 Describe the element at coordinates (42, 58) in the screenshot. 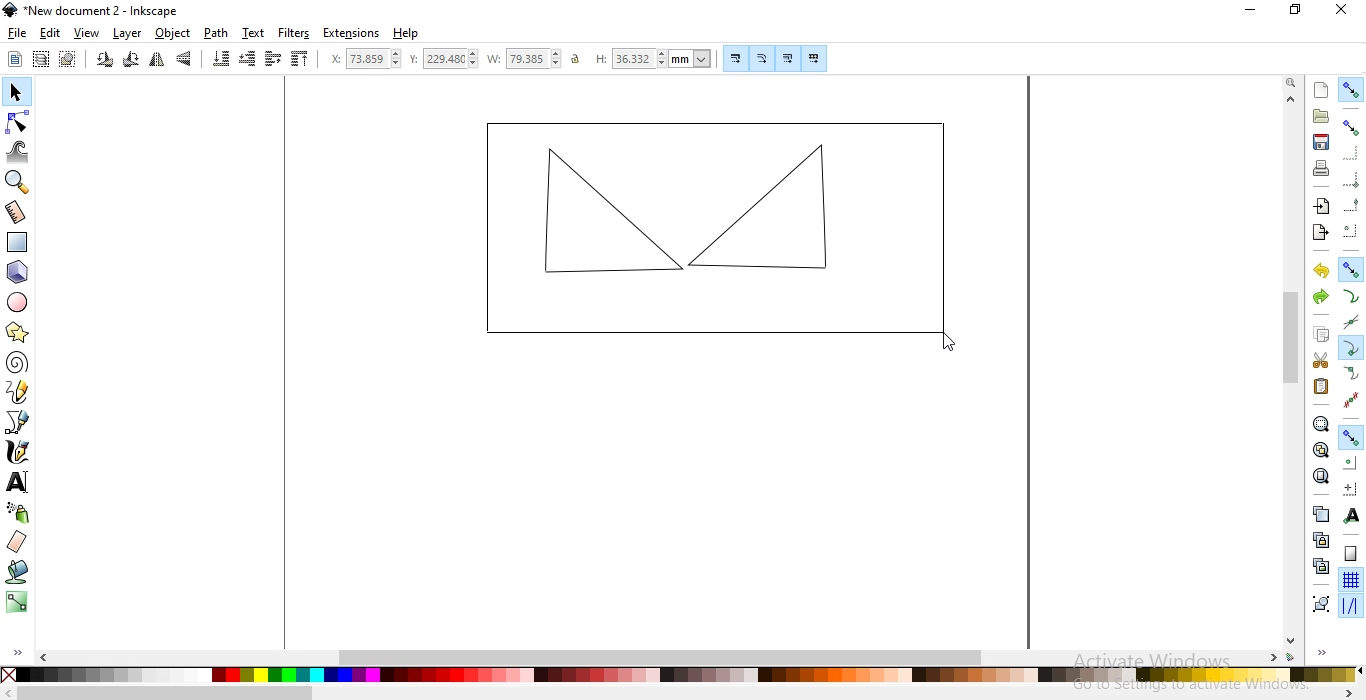

I see `select all objects in all visible and unlocked layers` at that location.